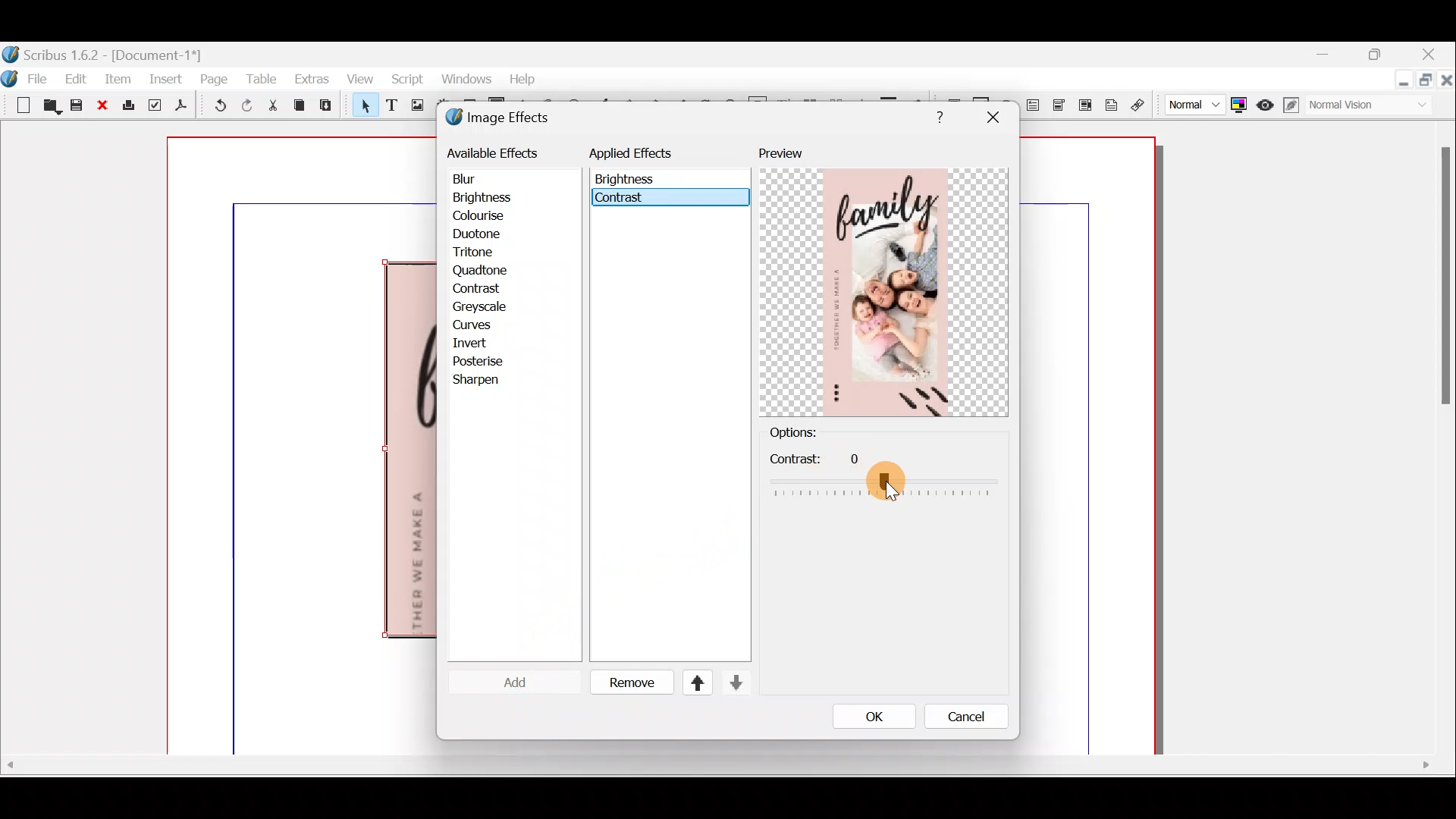 This screenshot has height=819, width=1456. Describe the element at coordinates (936, 115) in the screenshot. I see `` at that location.